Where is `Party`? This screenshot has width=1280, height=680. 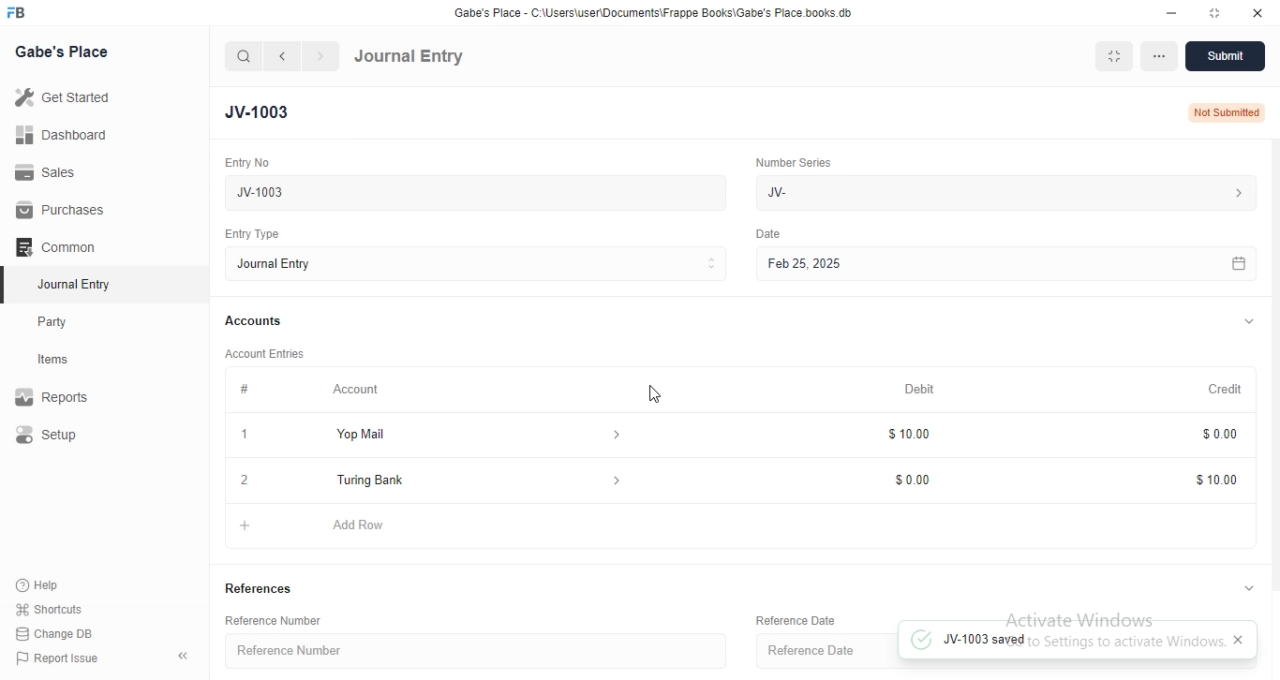 Party is located at coordinates (72, 322).